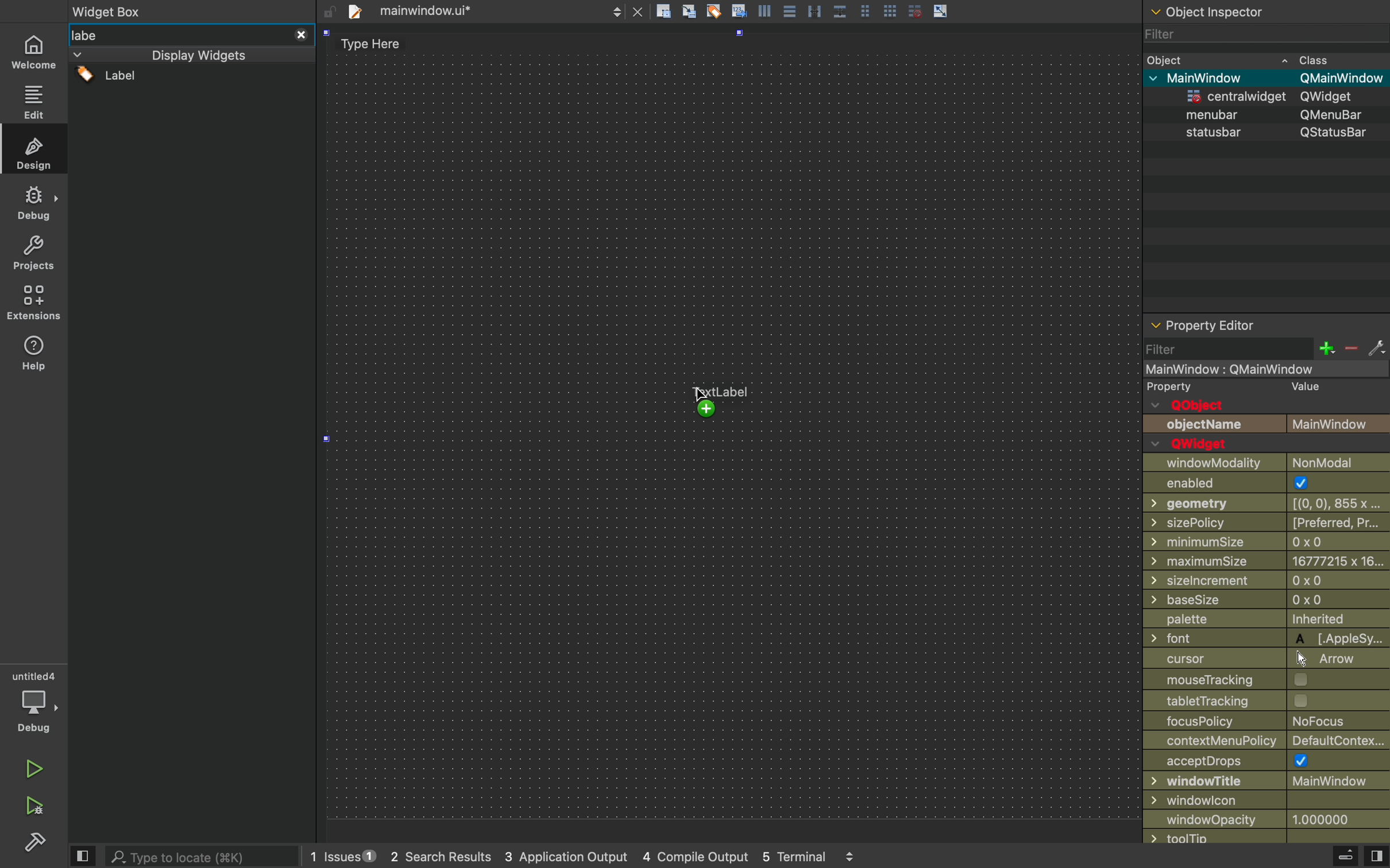  What do you see at coordinates (663, 13) in the screenshot?
I see `file actions` at bounding box center [663, 13].